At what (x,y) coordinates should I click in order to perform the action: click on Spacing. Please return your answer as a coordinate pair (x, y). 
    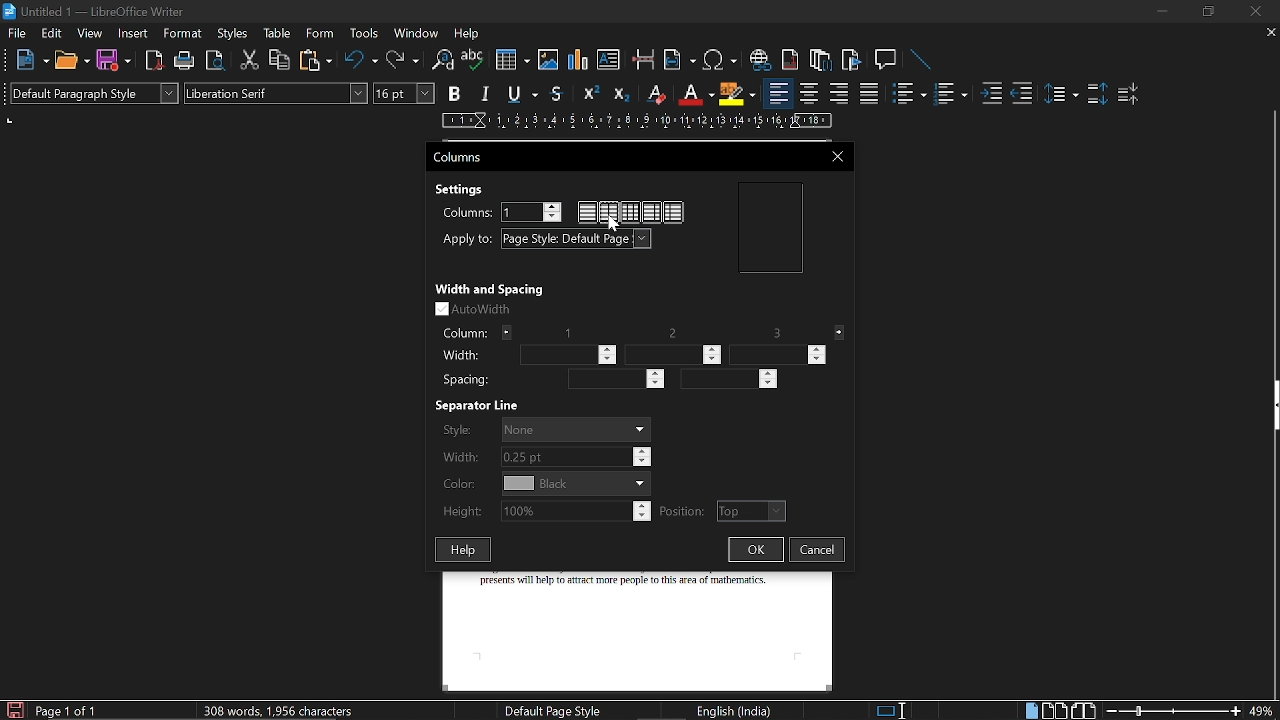
    Looking at the image, I should click on (467, 381).